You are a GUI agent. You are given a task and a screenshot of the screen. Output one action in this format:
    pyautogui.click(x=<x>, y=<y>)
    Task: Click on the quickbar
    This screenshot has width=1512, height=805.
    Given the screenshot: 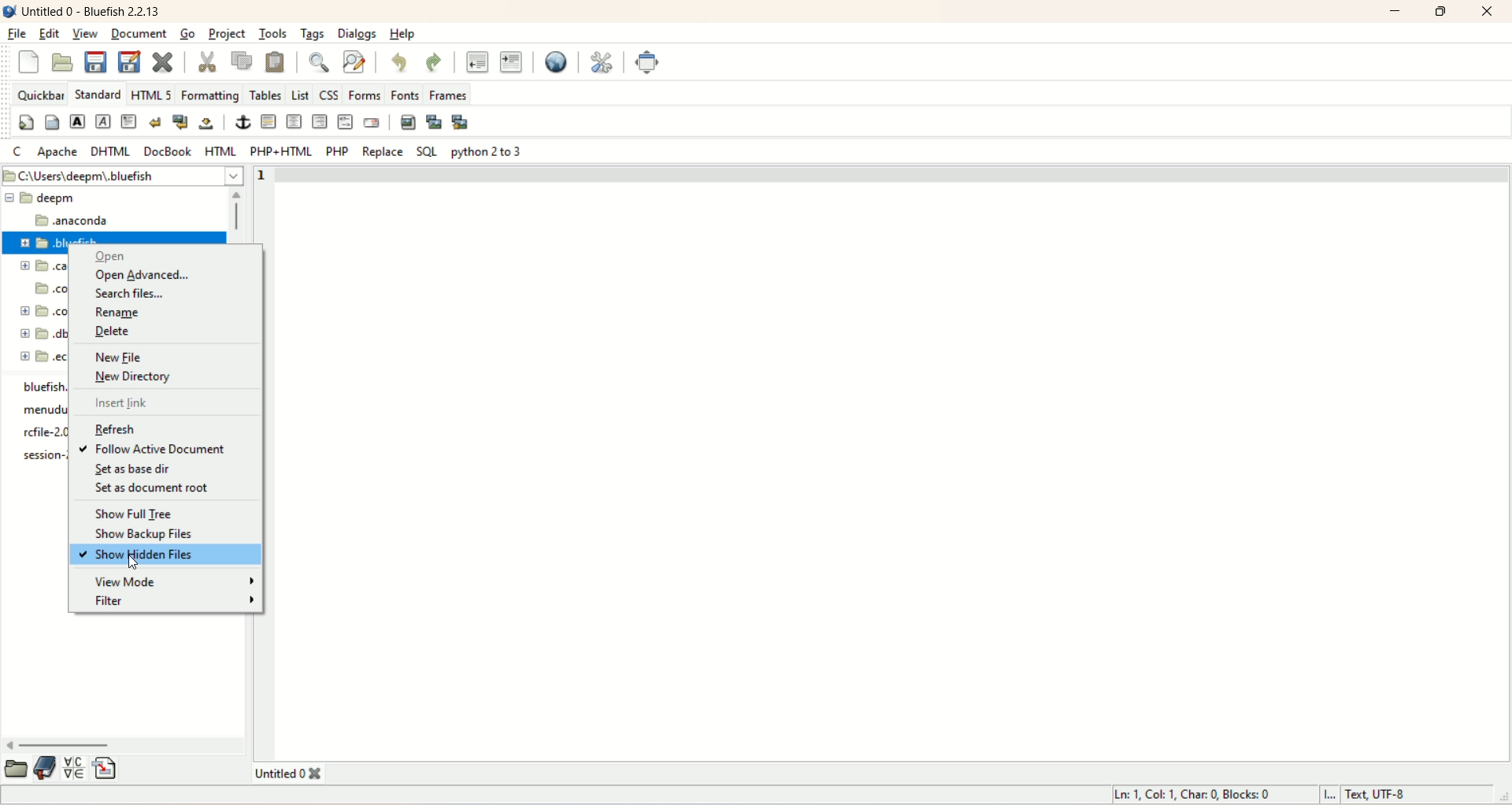 What is the action you would take?
    pyautogui.click(x=39, y=93)
    